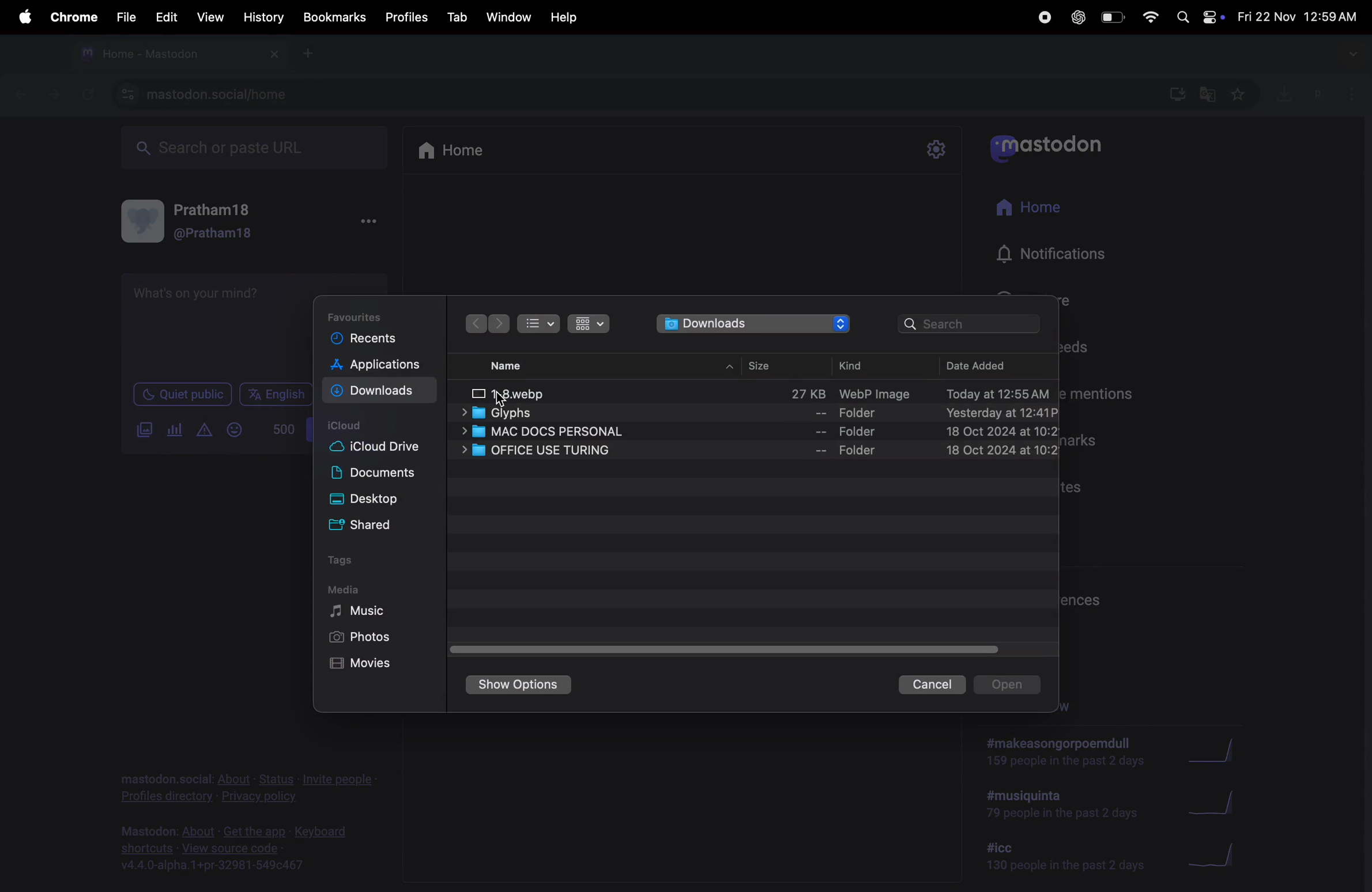  Describe the element at coordinates (122, 18) in the screenshot. I see `file` at that location.